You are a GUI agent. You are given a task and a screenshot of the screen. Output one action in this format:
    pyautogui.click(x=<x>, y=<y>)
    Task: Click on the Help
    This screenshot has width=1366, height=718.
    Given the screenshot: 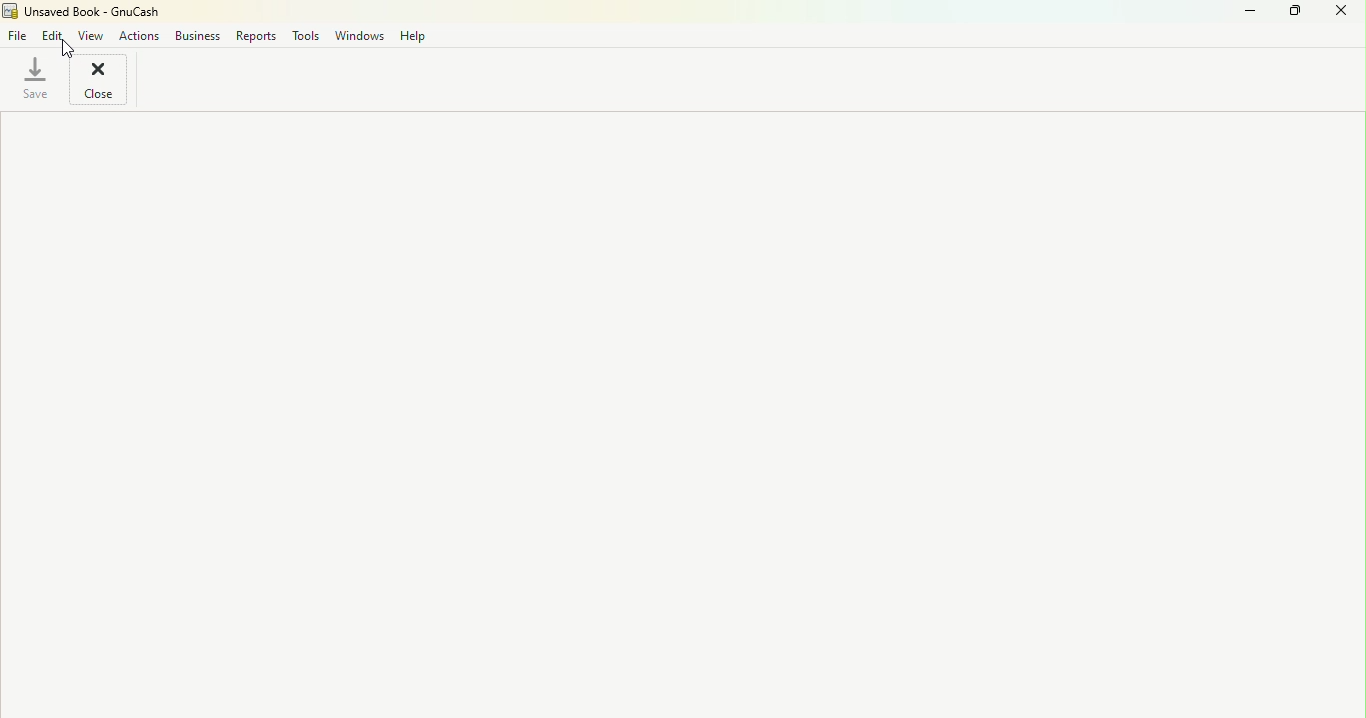 What is the action you would take?
    pyautogui.click(x=414, y=37)
    